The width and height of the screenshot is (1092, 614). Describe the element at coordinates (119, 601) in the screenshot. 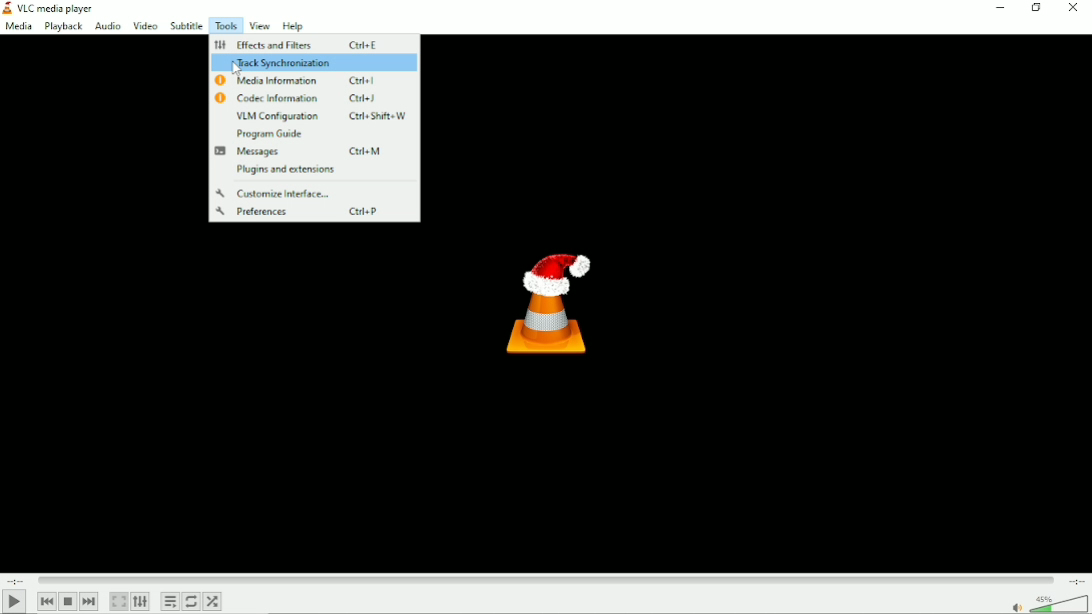

I see `Toggle video in fullscreen` at that location.